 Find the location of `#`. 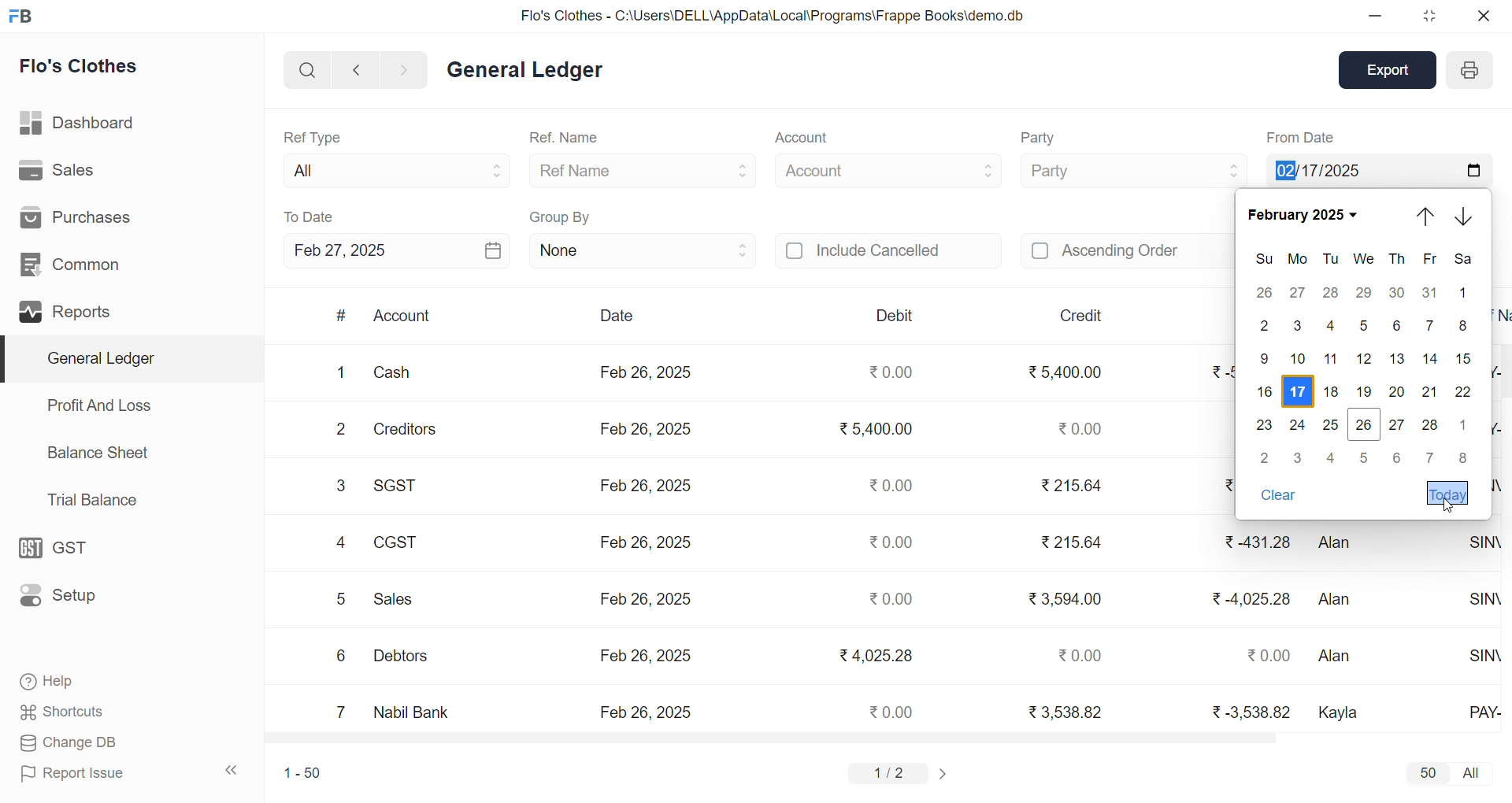

# is located at coordinates (341, 316).